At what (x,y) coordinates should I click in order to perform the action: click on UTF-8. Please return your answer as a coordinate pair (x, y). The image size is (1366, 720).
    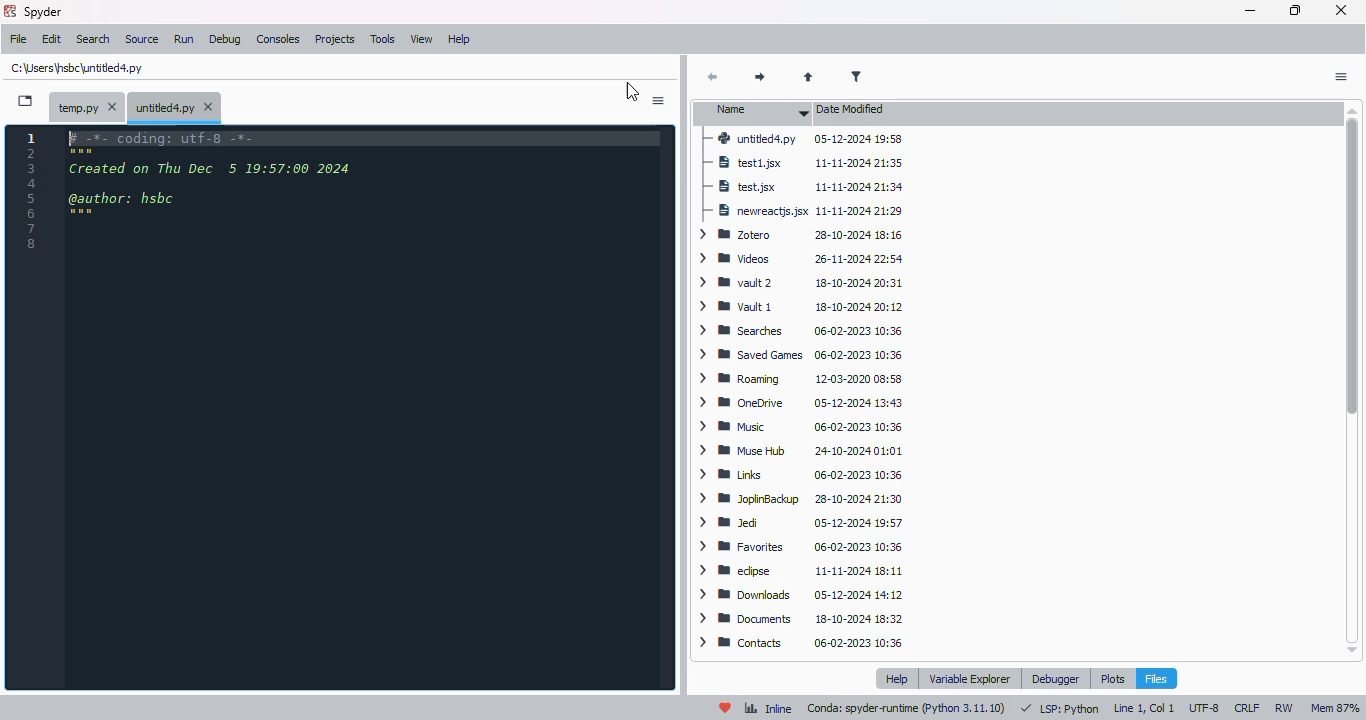
    Looking at the image, I should click on (1206, 708).